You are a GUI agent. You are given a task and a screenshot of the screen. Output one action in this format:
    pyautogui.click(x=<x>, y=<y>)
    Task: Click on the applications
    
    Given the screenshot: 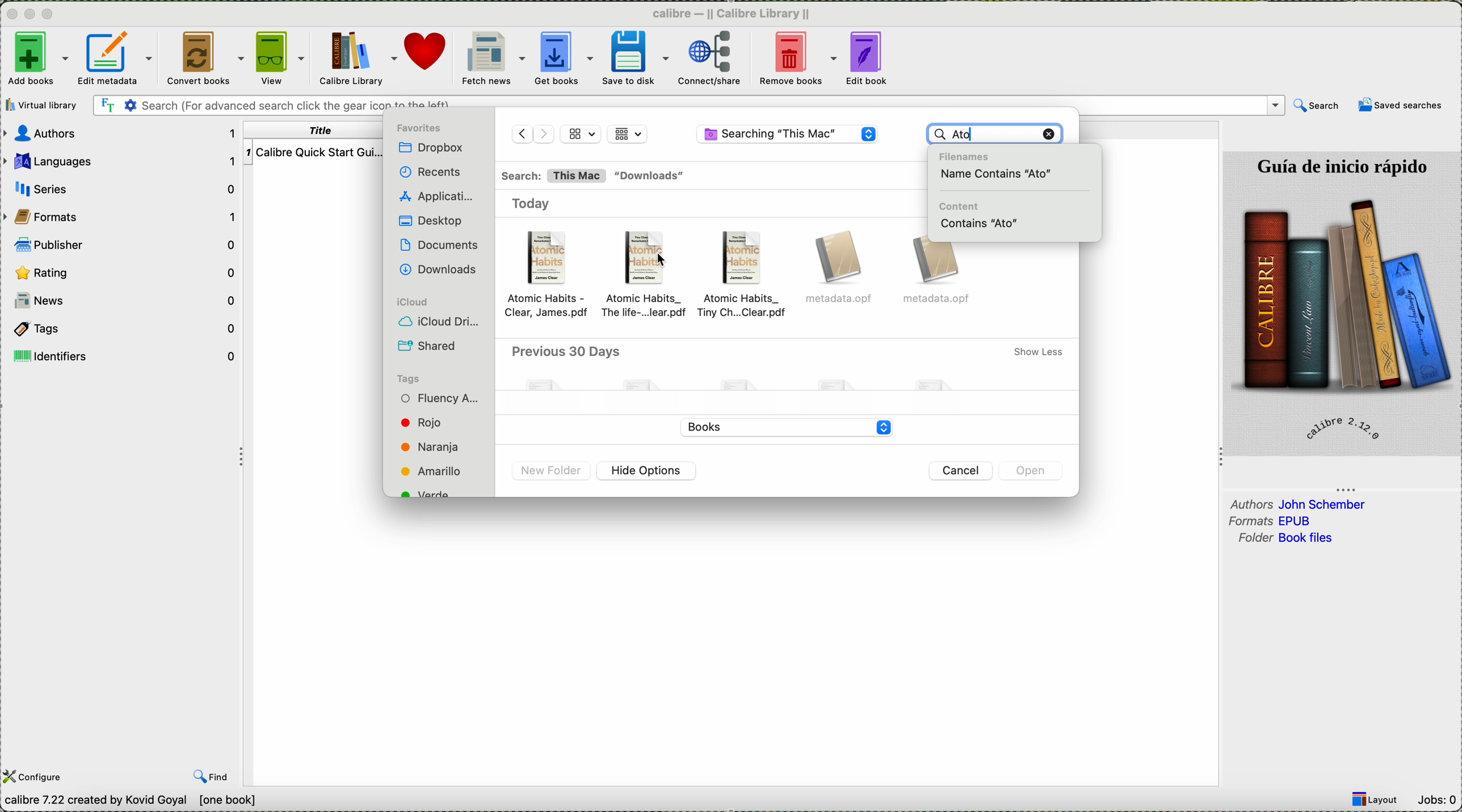 What is the action you would take?
    pyautogui.click(x=439, y=197)
    